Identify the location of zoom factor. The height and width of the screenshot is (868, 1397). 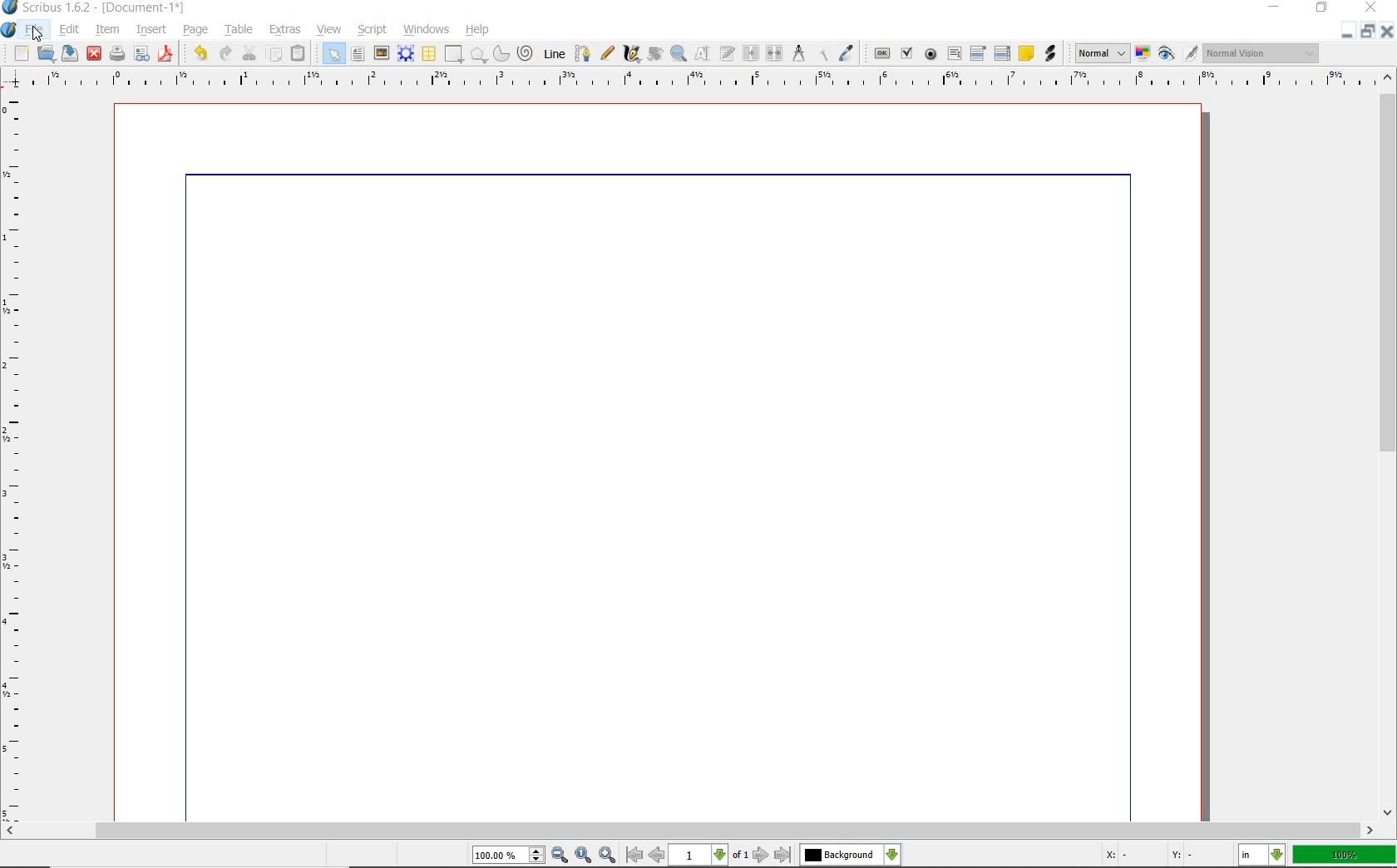
(1343, 856).